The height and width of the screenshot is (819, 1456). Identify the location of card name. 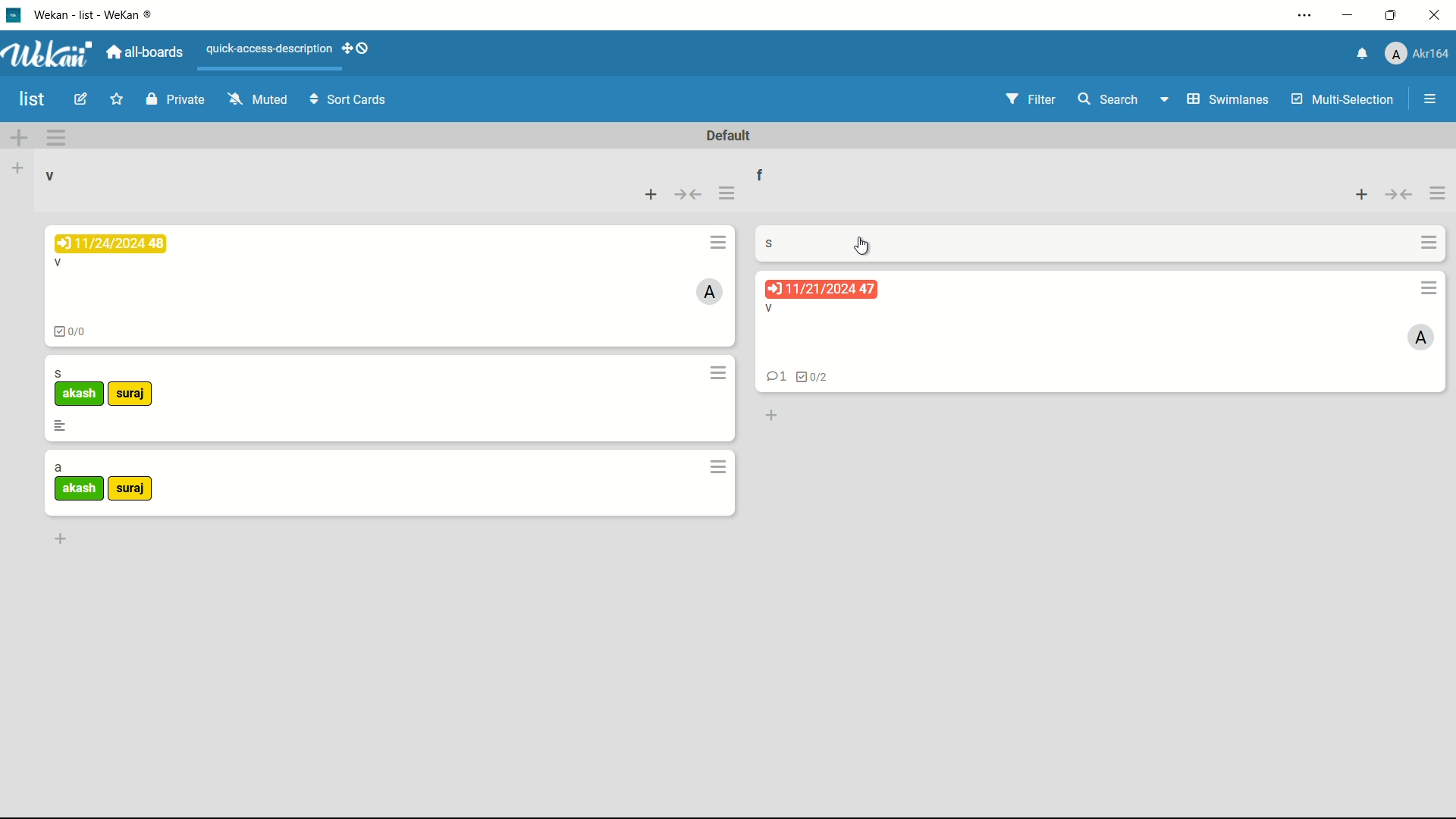
(768, 309).